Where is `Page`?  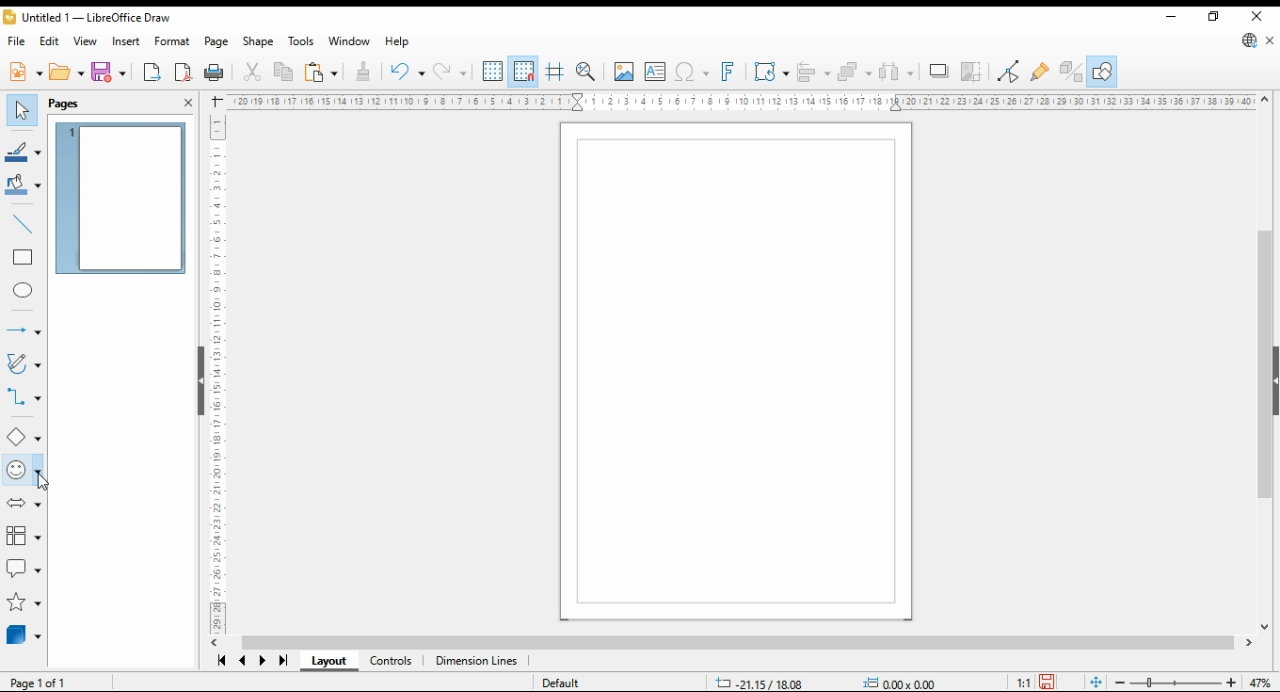
Page is located at coordinates (737, 372).